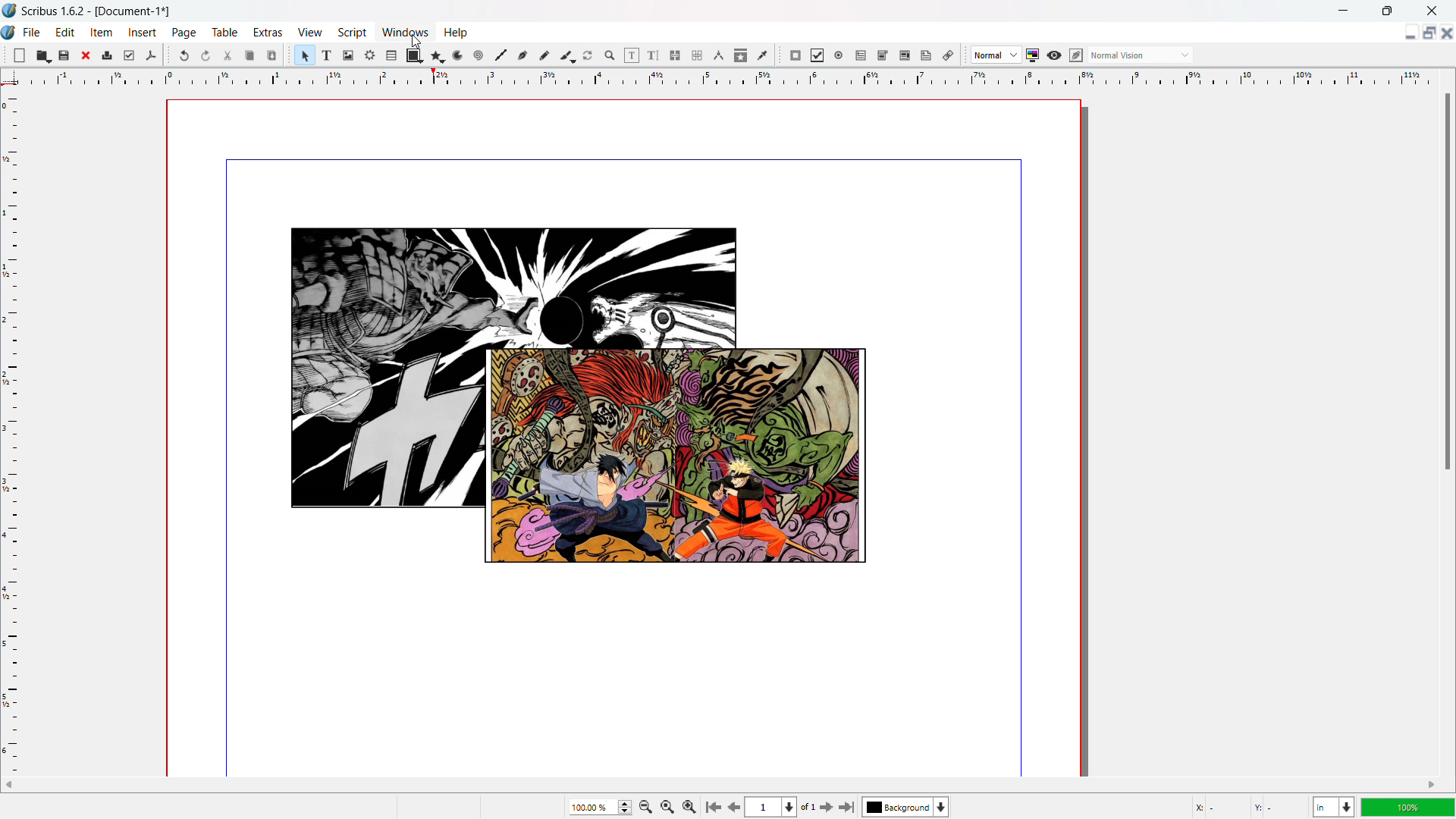 Image resolution: width=1456 pixels, height=819 pixels. Describe the element at coordinates (289, 54) in the screenshot. I see `move toolbox` at that location.